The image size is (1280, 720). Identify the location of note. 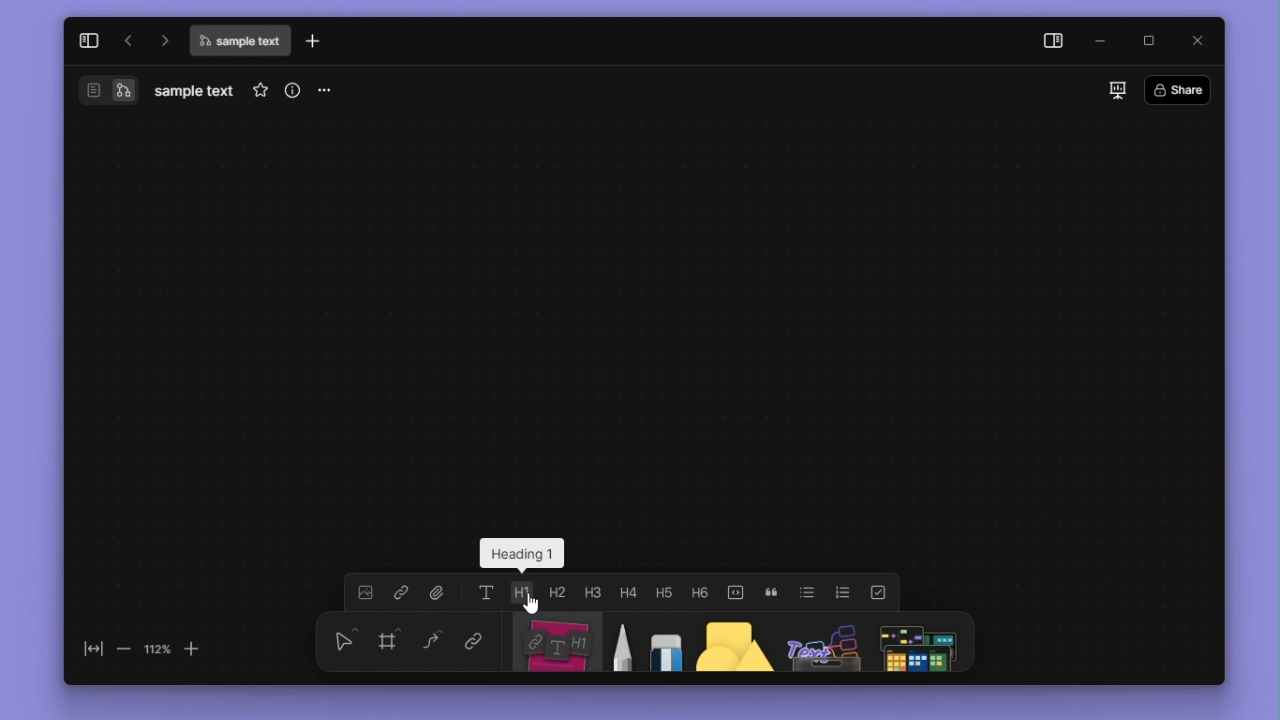
(559, 642).